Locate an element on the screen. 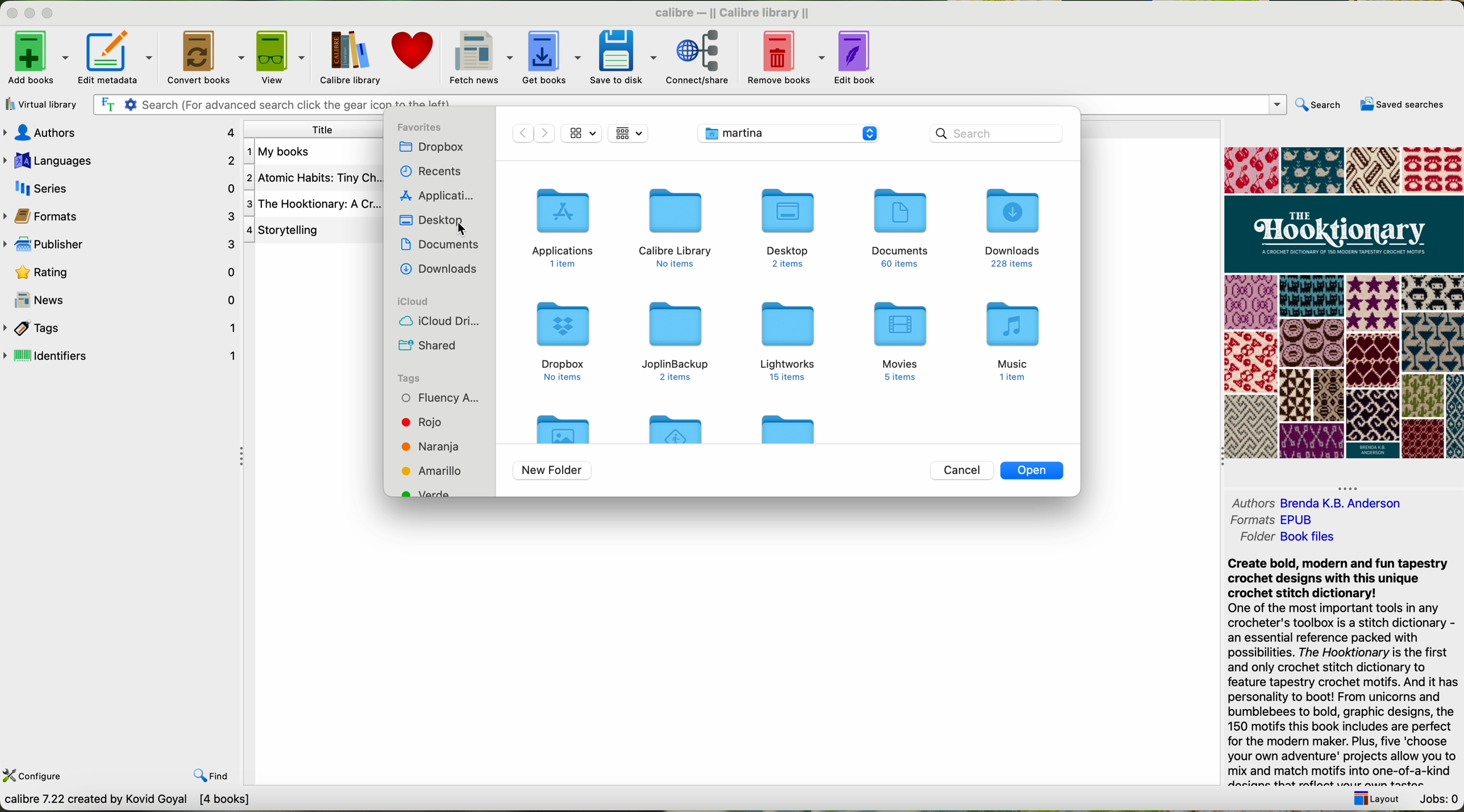 The image size is (1464, 812). applications folder is located at coordinates (562, 227).